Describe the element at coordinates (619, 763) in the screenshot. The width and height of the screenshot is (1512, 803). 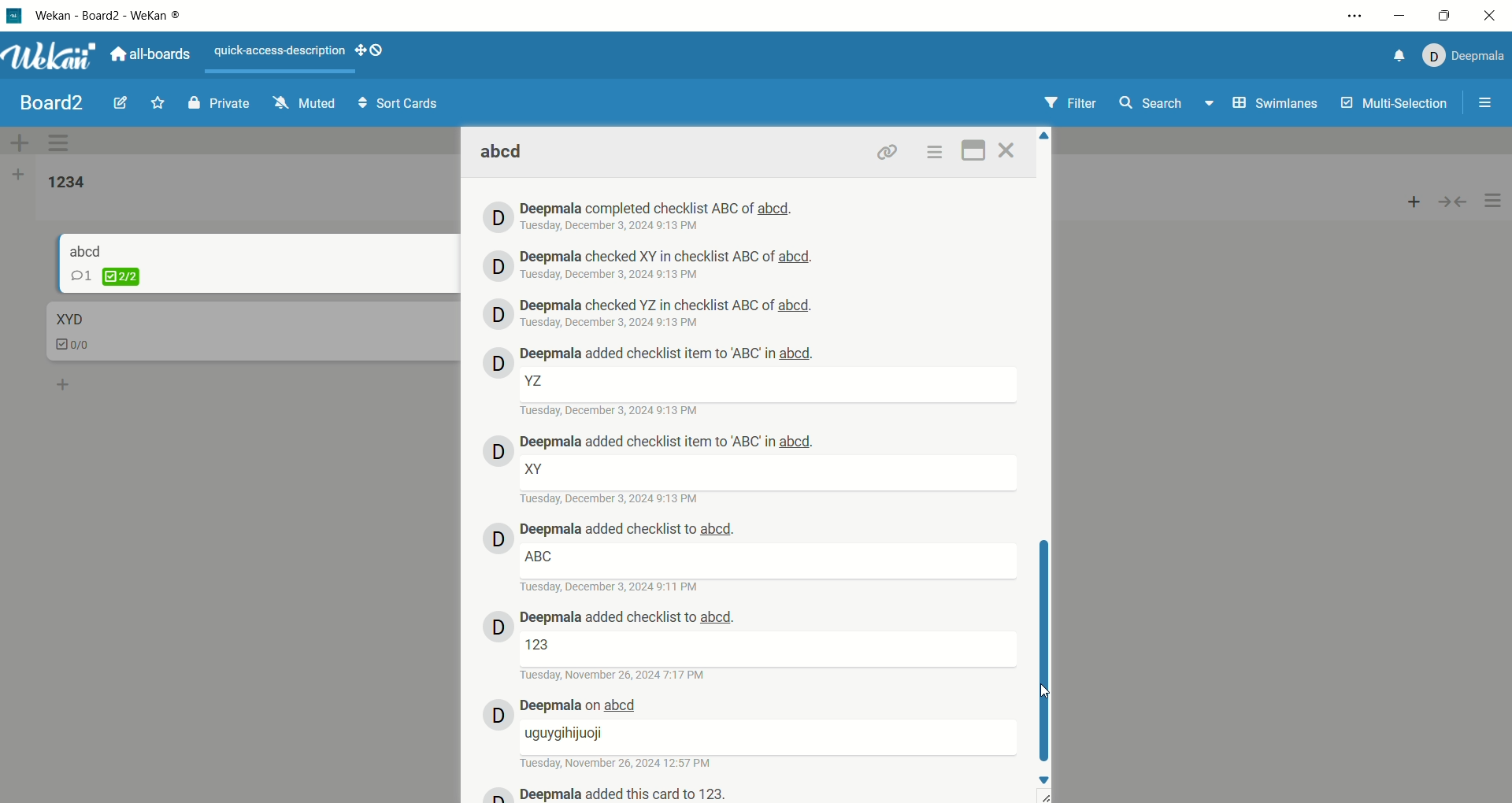
I see `date and time` at that location.